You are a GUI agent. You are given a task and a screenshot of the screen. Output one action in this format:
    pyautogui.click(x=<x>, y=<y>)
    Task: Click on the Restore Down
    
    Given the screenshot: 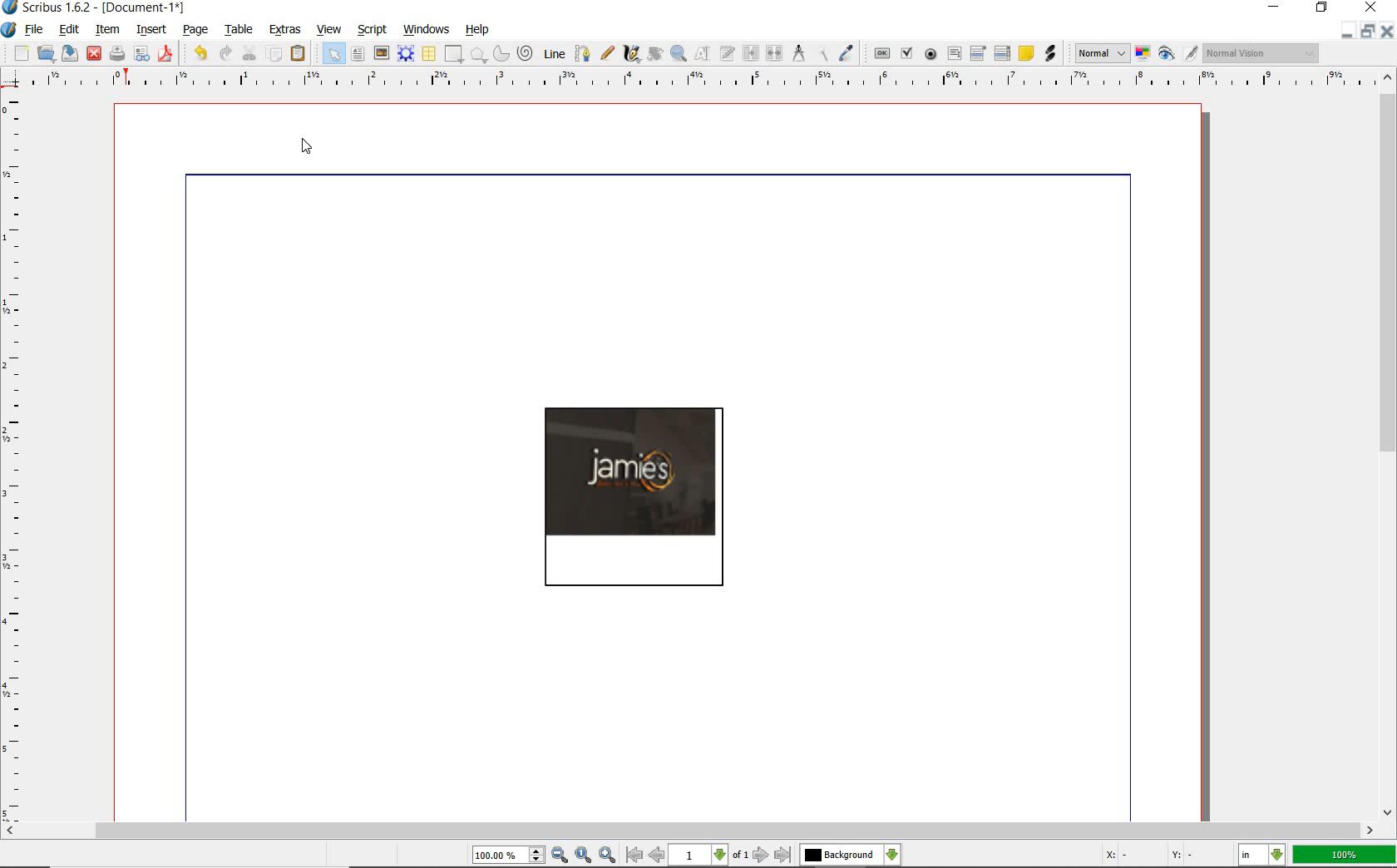 What is the action you would take?
    pyautogui.click(x=1343, y=31)
    